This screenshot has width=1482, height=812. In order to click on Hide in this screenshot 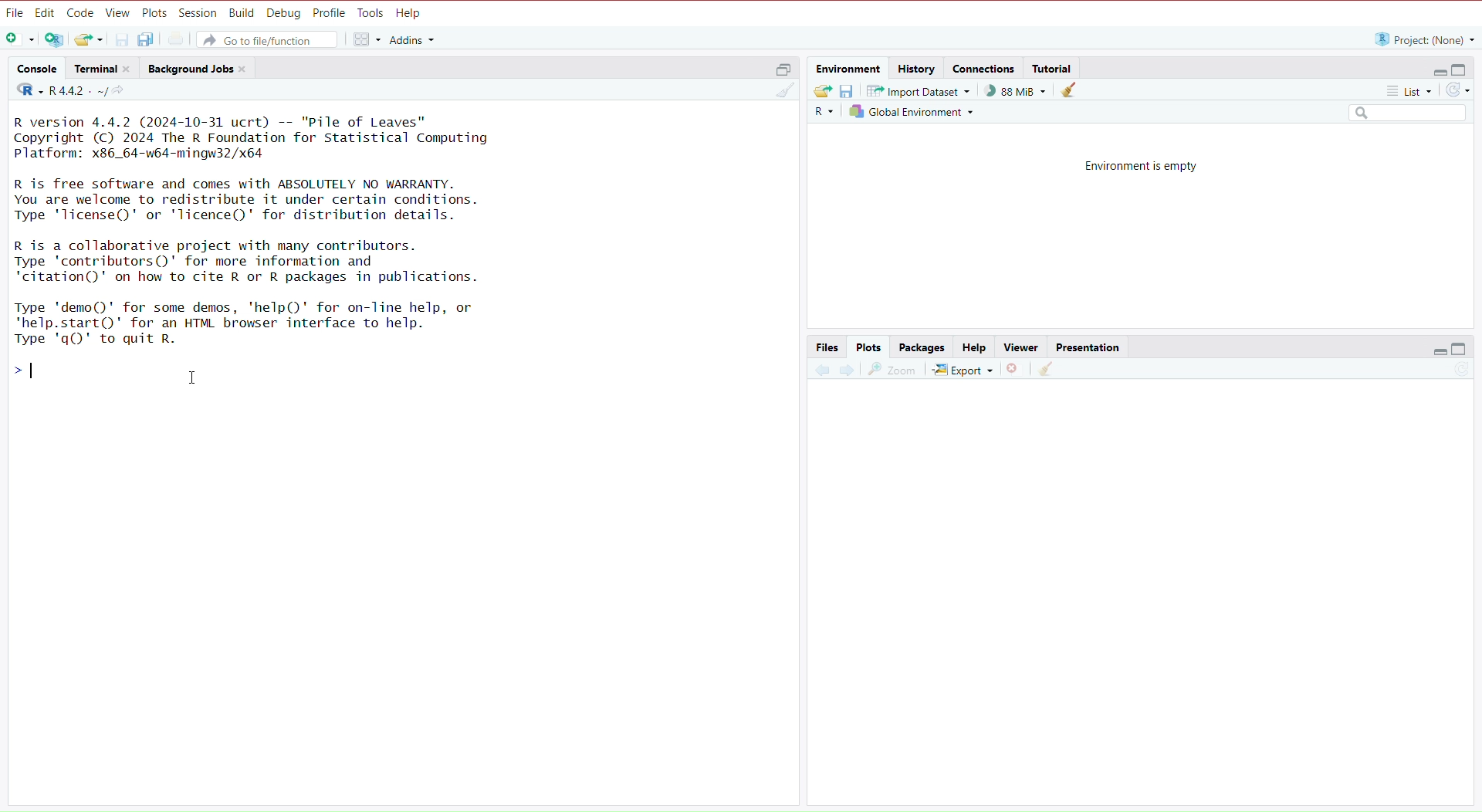, I will do `click(1439, 349)`.